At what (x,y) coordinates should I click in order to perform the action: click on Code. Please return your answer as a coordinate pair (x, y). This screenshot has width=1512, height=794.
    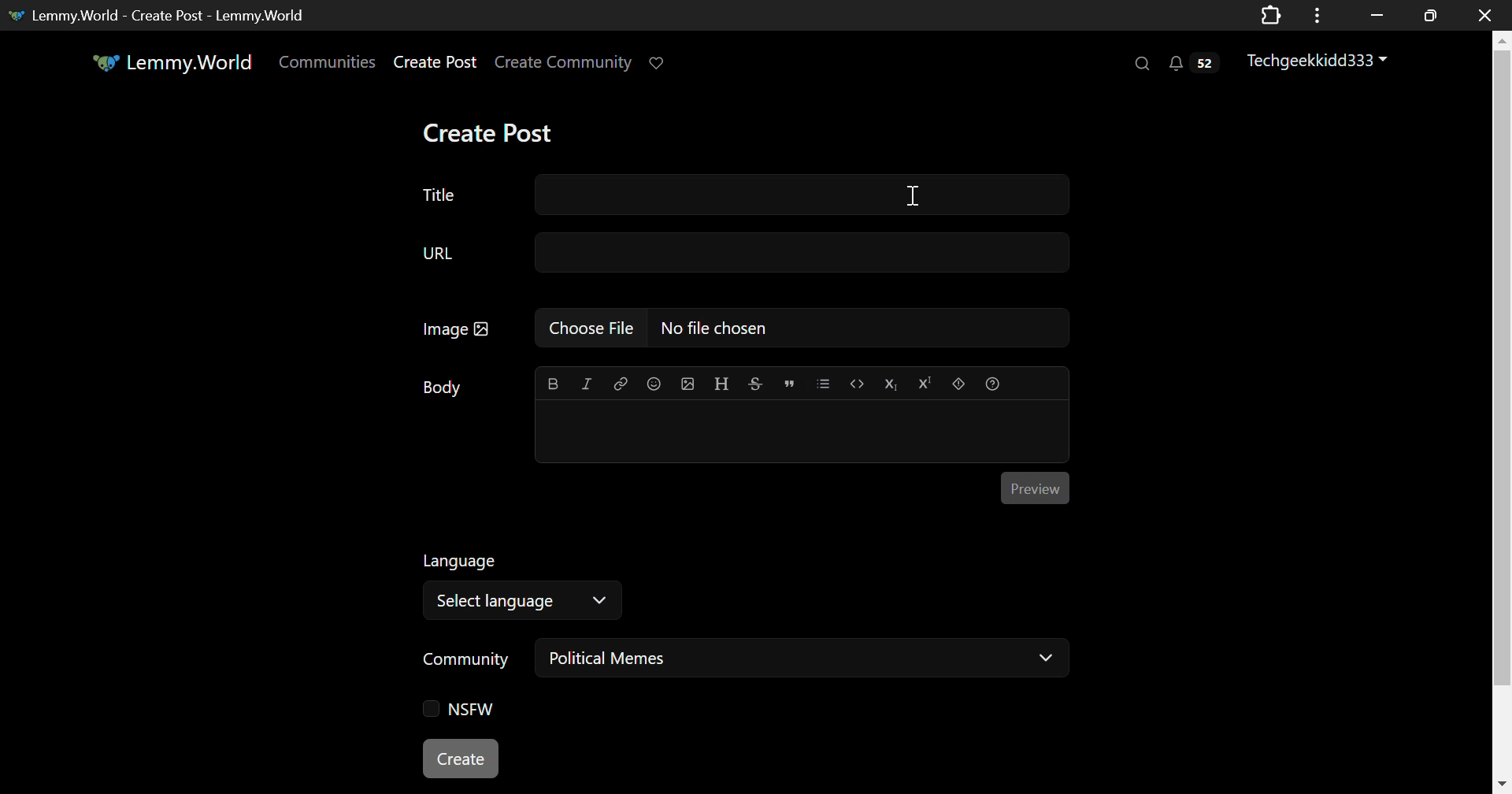
    Looking at the image, I should click on (857, 383).